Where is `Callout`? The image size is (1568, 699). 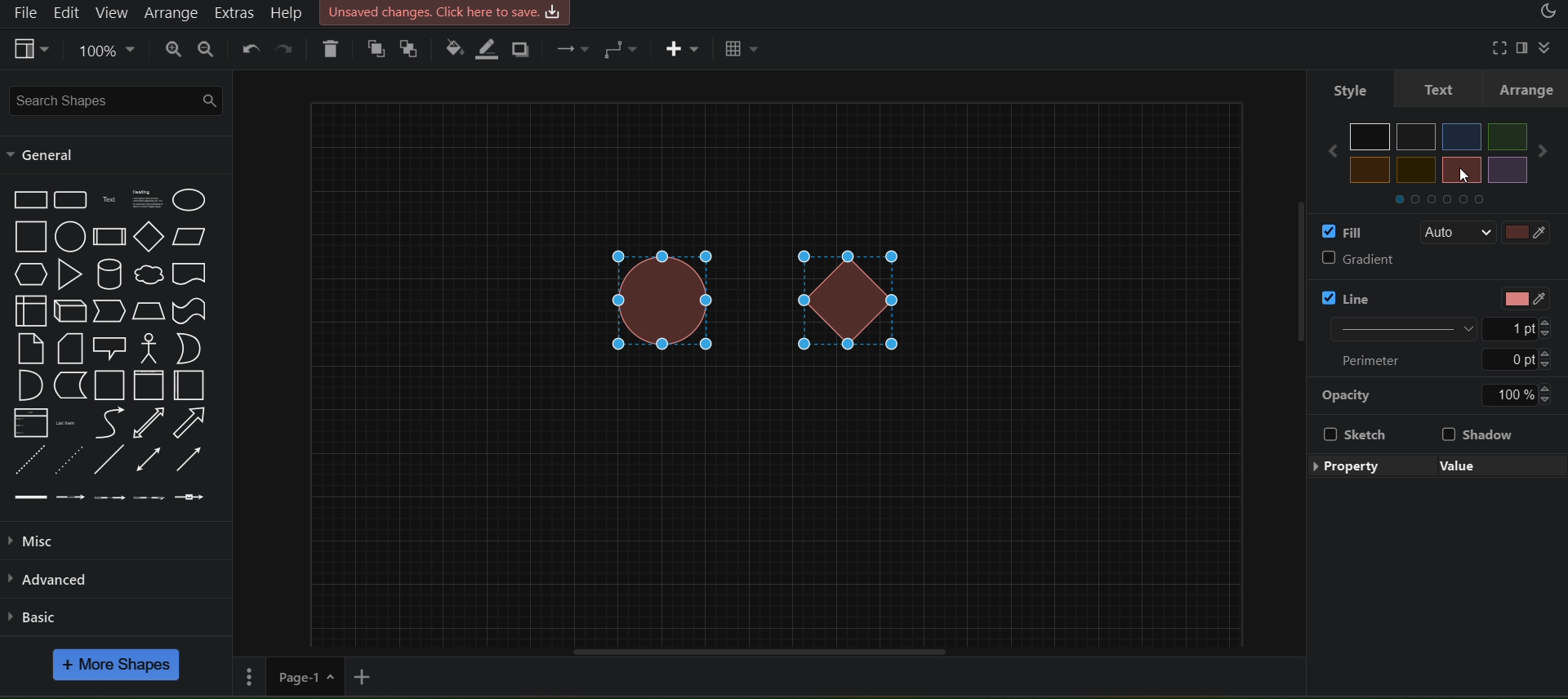 Callout is located at coordinates (110, 348).